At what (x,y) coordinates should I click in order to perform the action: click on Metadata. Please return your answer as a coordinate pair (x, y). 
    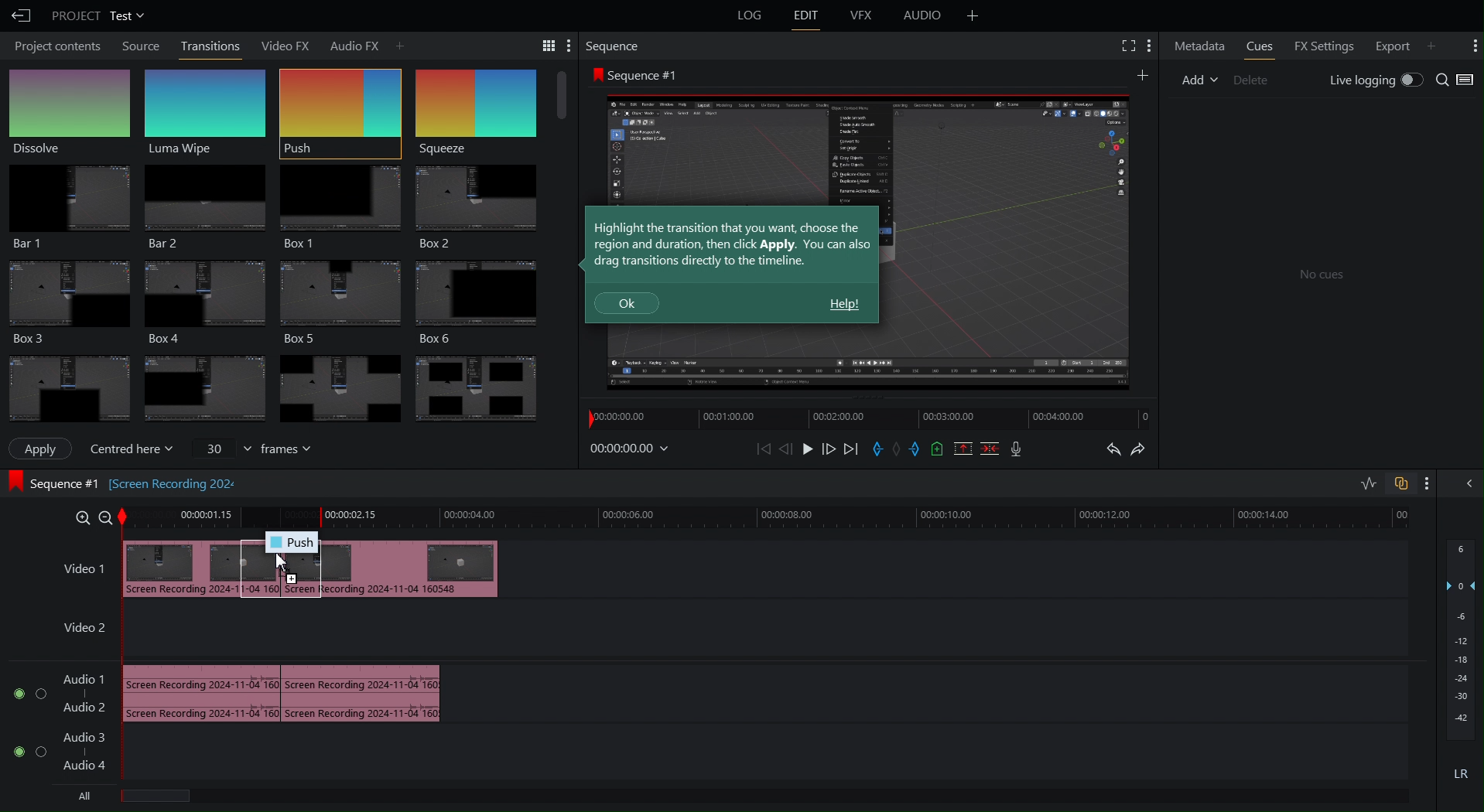
    Looking at the image, I should click on (1198, 46).